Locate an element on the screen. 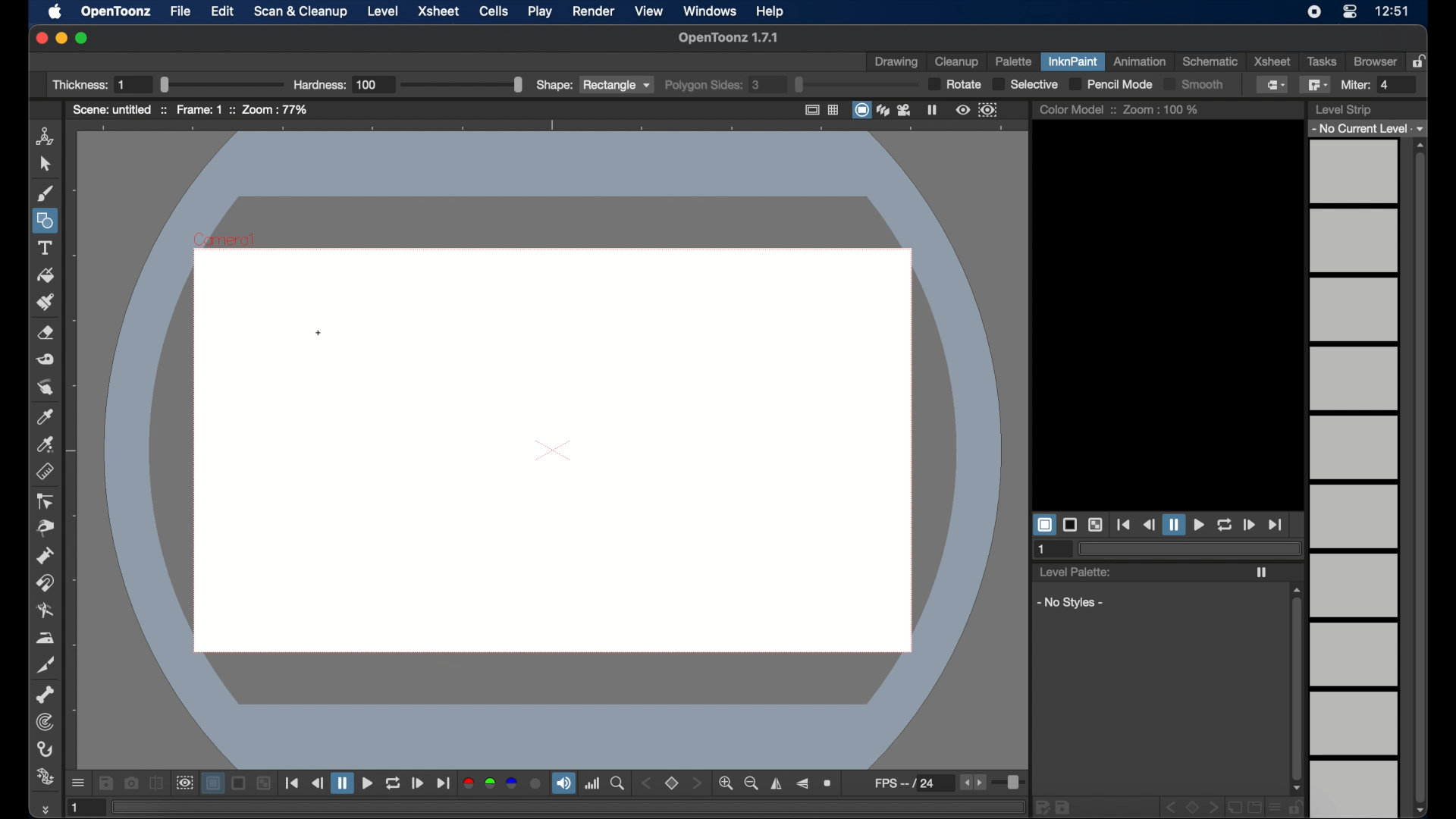 The width and height of the screenshot is (1456, 819). stepper button is located at coordinates (645, 783).